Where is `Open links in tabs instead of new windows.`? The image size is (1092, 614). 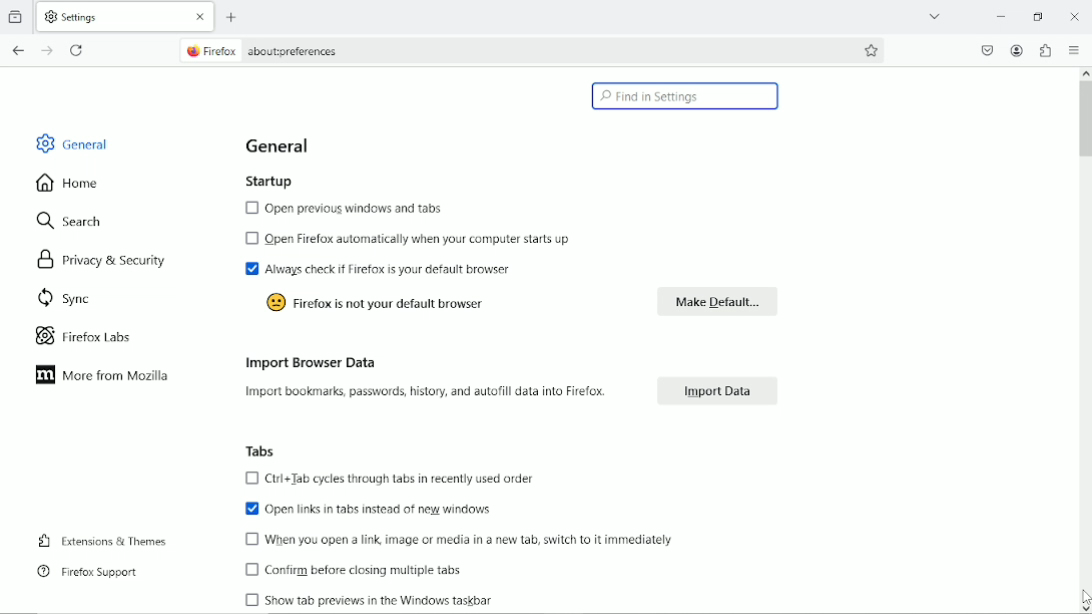
Open links in tabs instead of new windows. is located at coordinates (375, 511).